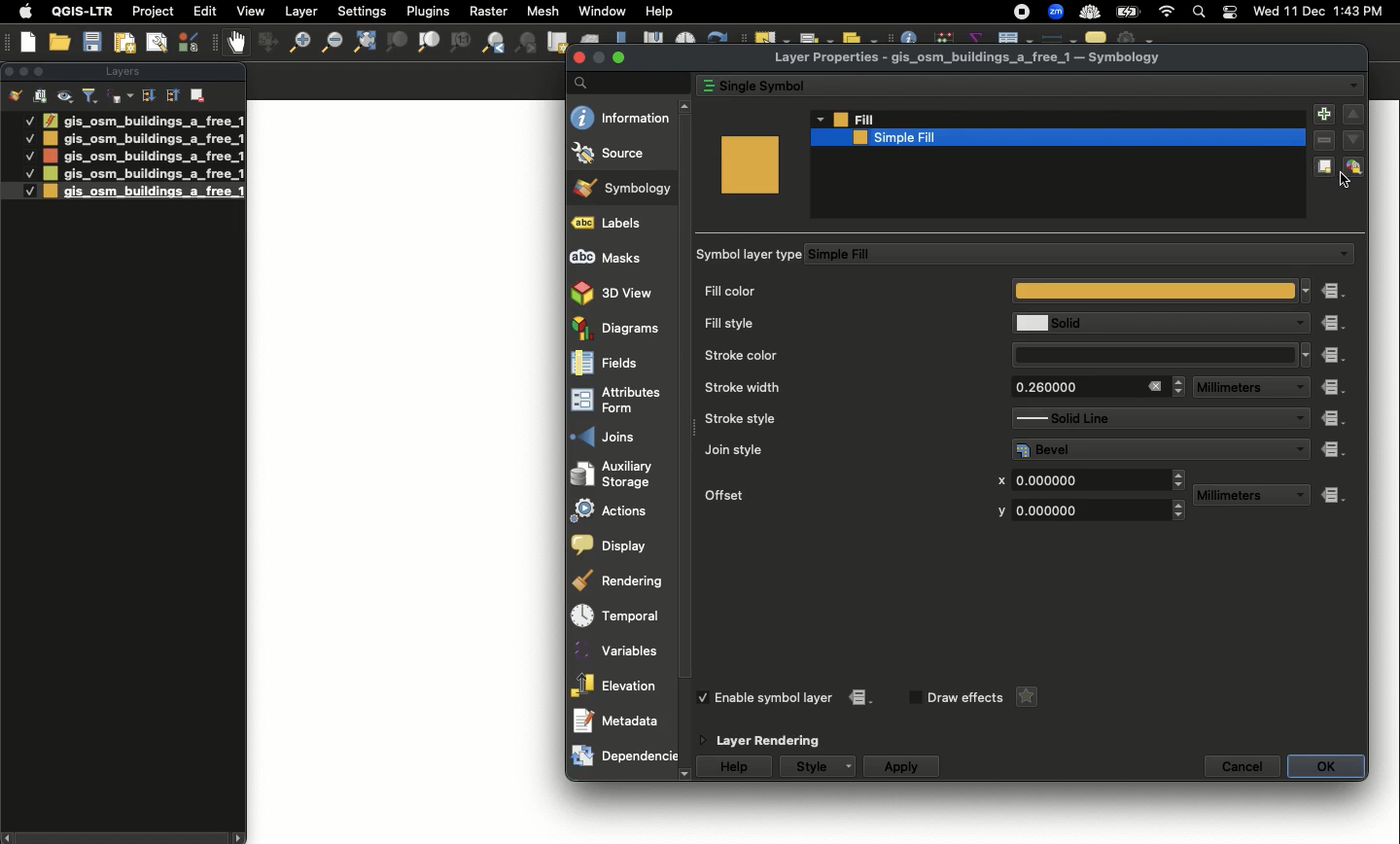 The height and width of the screenshot is (844, 1400). I want to click on Star, so click(1024, 697).